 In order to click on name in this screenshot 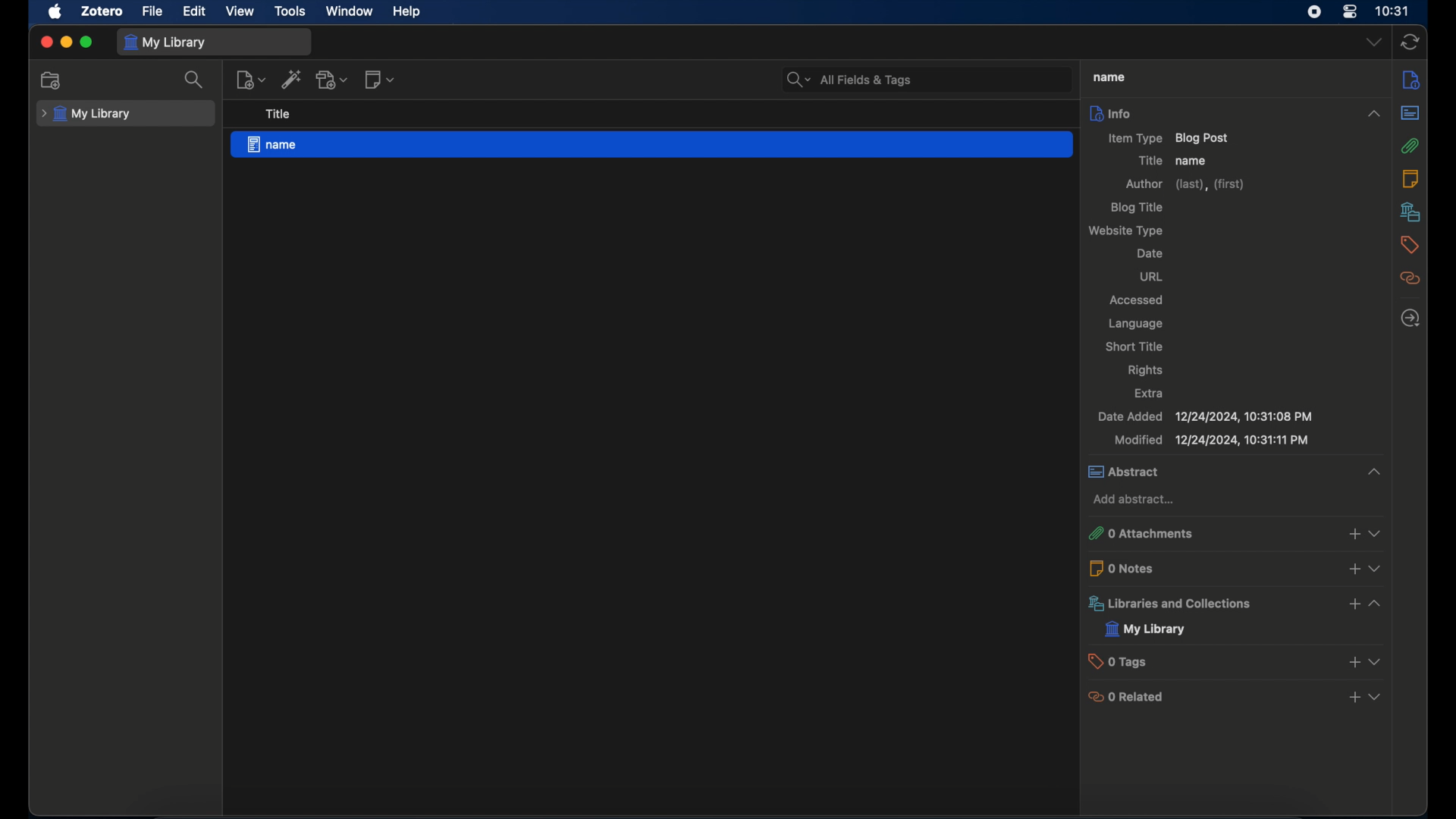, I will do `click(1192, 162)`.